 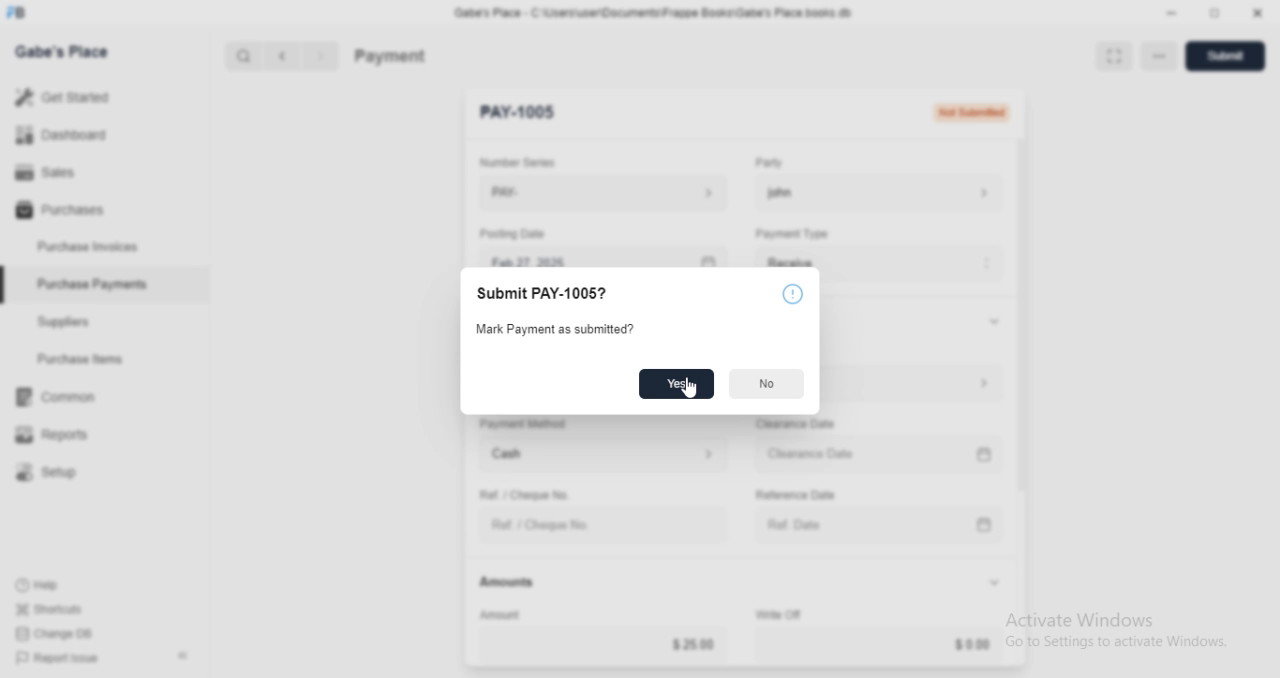 I want to click on No, so click(x=765, y=384).